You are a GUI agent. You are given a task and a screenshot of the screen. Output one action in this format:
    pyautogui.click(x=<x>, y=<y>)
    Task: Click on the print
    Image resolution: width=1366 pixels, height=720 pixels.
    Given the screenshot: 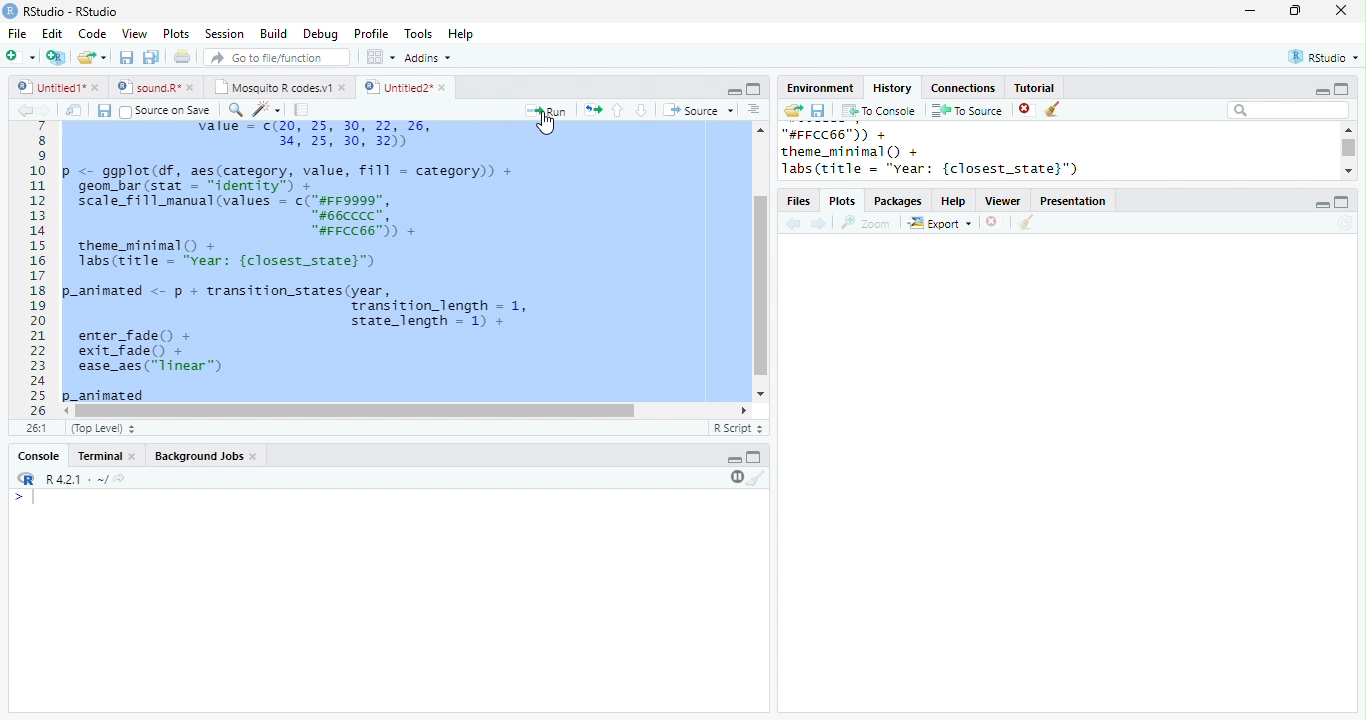 What is the action you would take?
    pyautogui.click(x=181, y=56)
    